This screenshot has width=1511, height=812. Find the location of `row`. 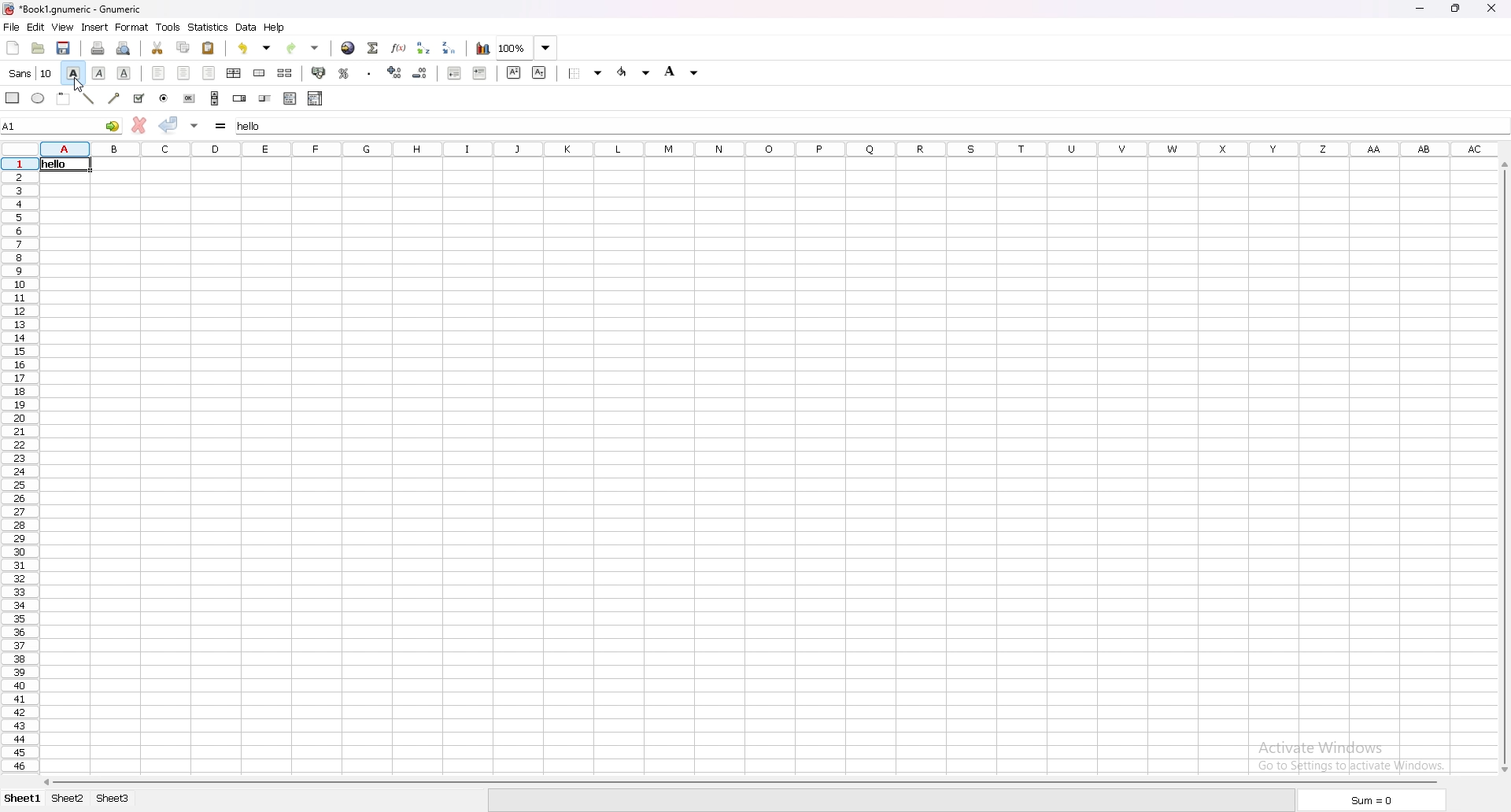

row is located at coordinates (19, 467).